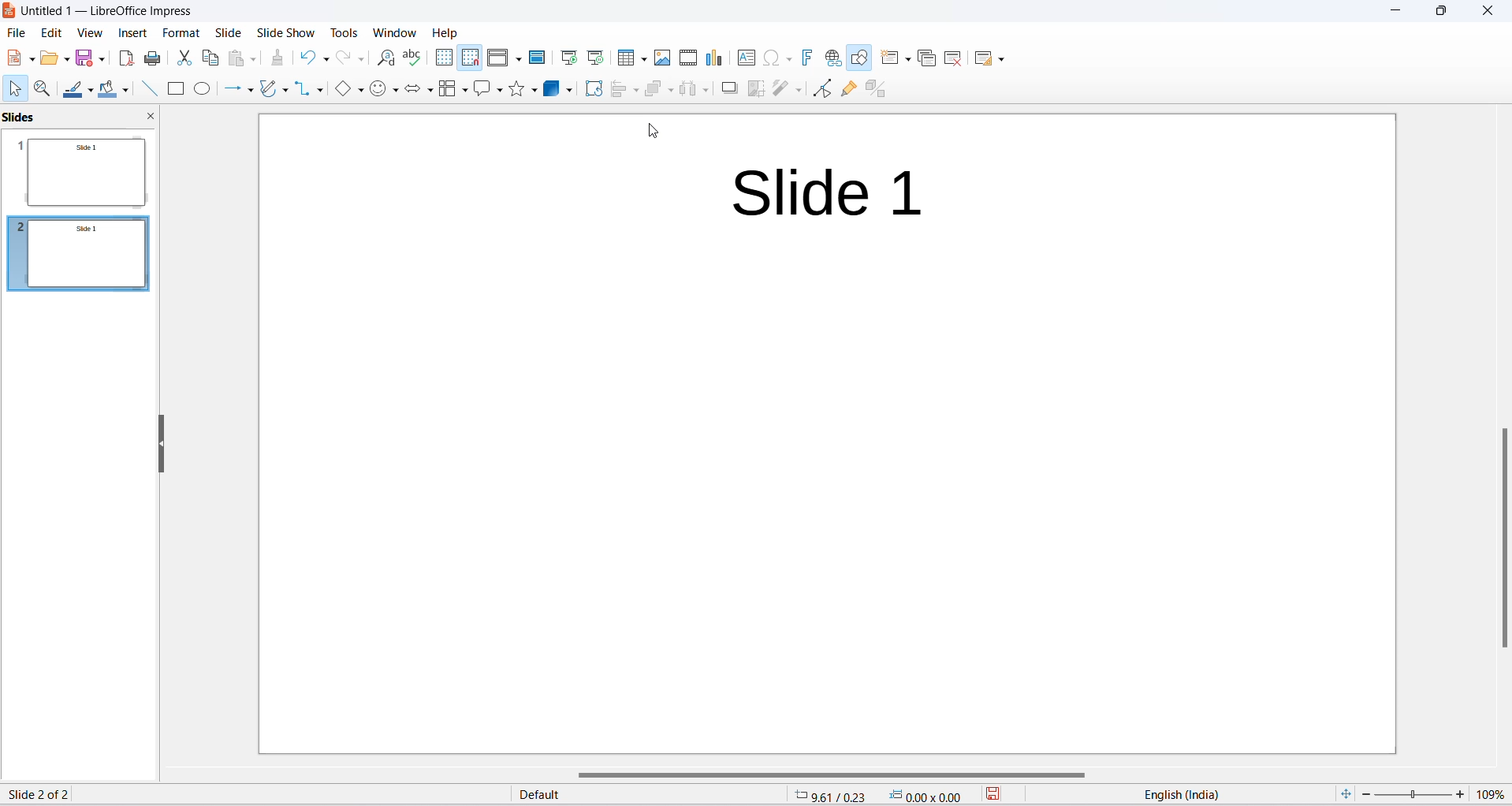 The height and width of the screenshot is (806, 1512). What do you see at coordinates (558, 89) in the screenshot?
I see `3D objects` at bounding box center [558, 89].